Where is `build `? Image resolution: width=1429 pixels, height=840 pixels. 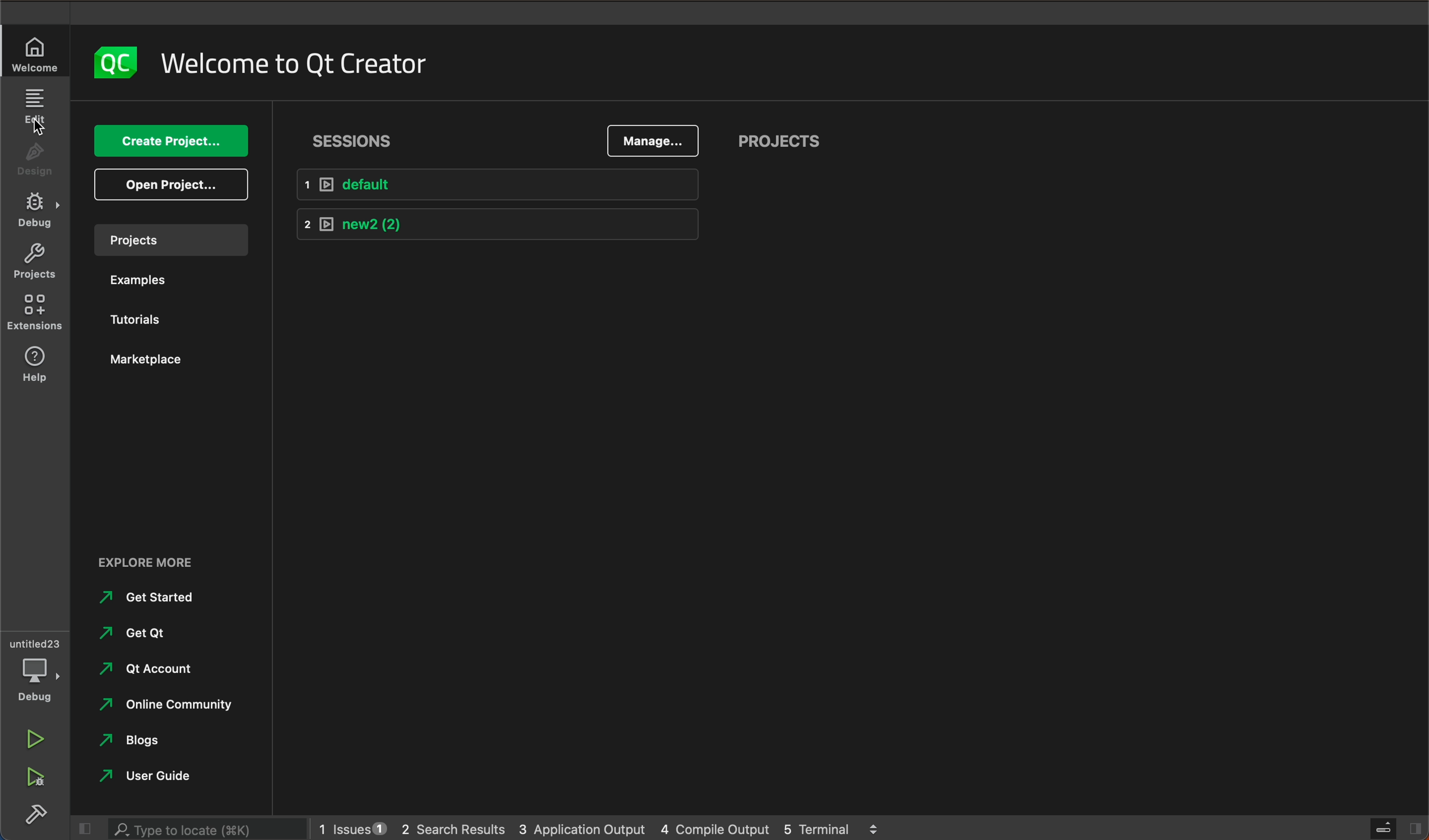
build  is located at coordinates (33, 813).